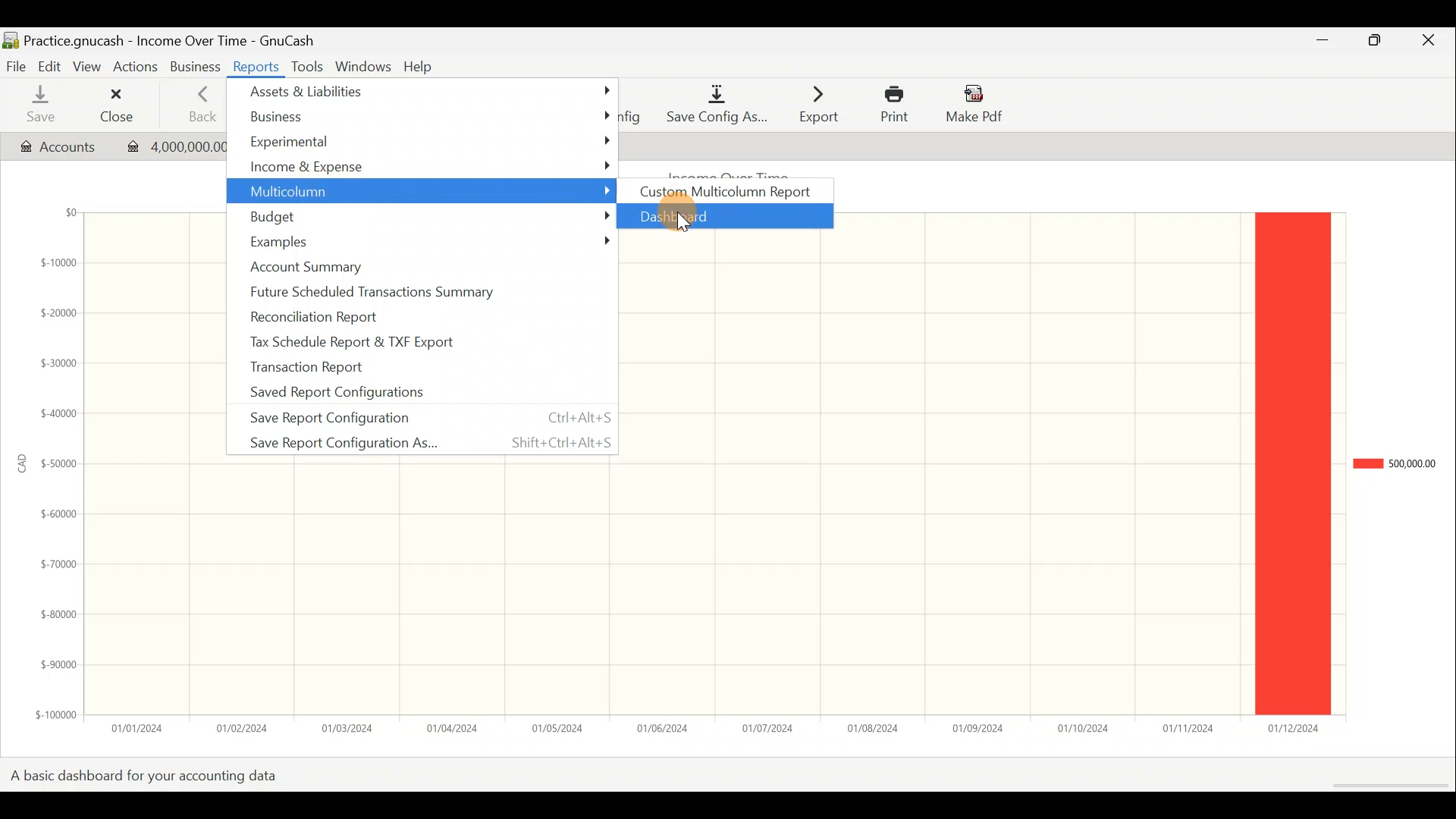 This screenshot has height=819, width=1456. What do you see at coordinates (49, 65) in the screenshot?
I see `Edit` at bounding box center [49, 65].